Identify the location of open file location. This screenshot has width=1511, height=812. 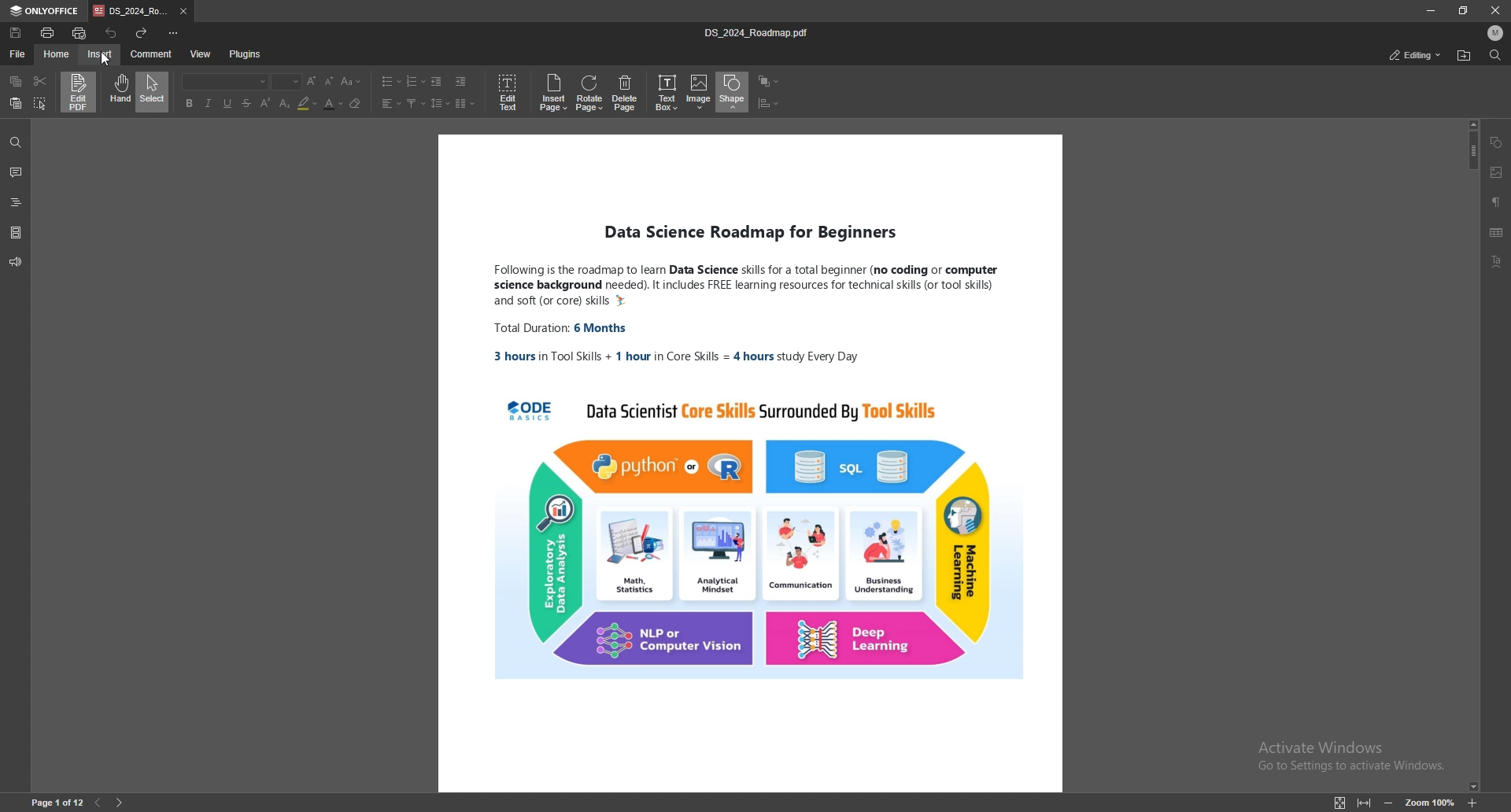
(1463, 56).